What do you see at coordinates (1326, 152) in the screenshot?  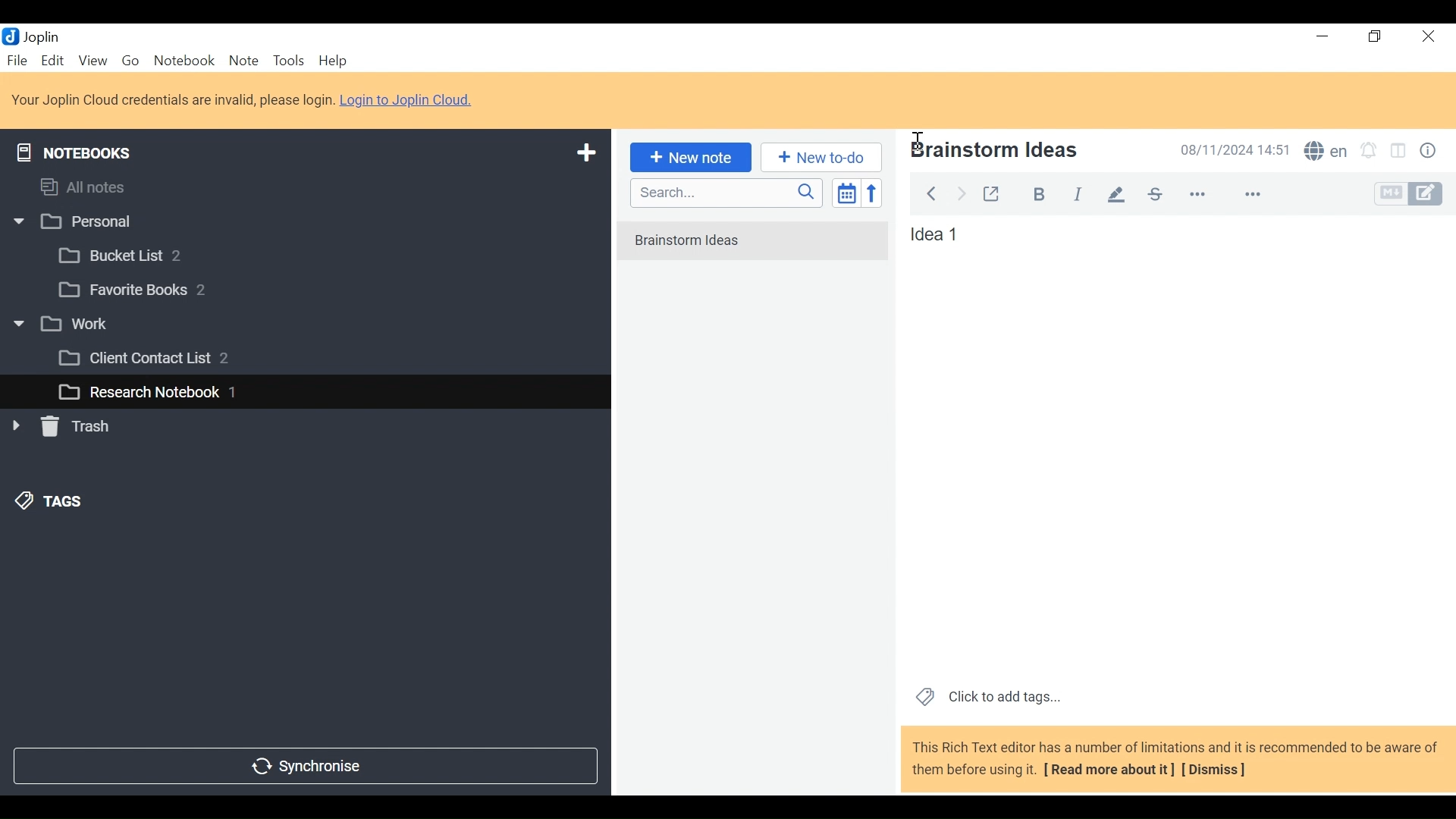 I see `Spell Checker` at bounding box center [1326, 152].